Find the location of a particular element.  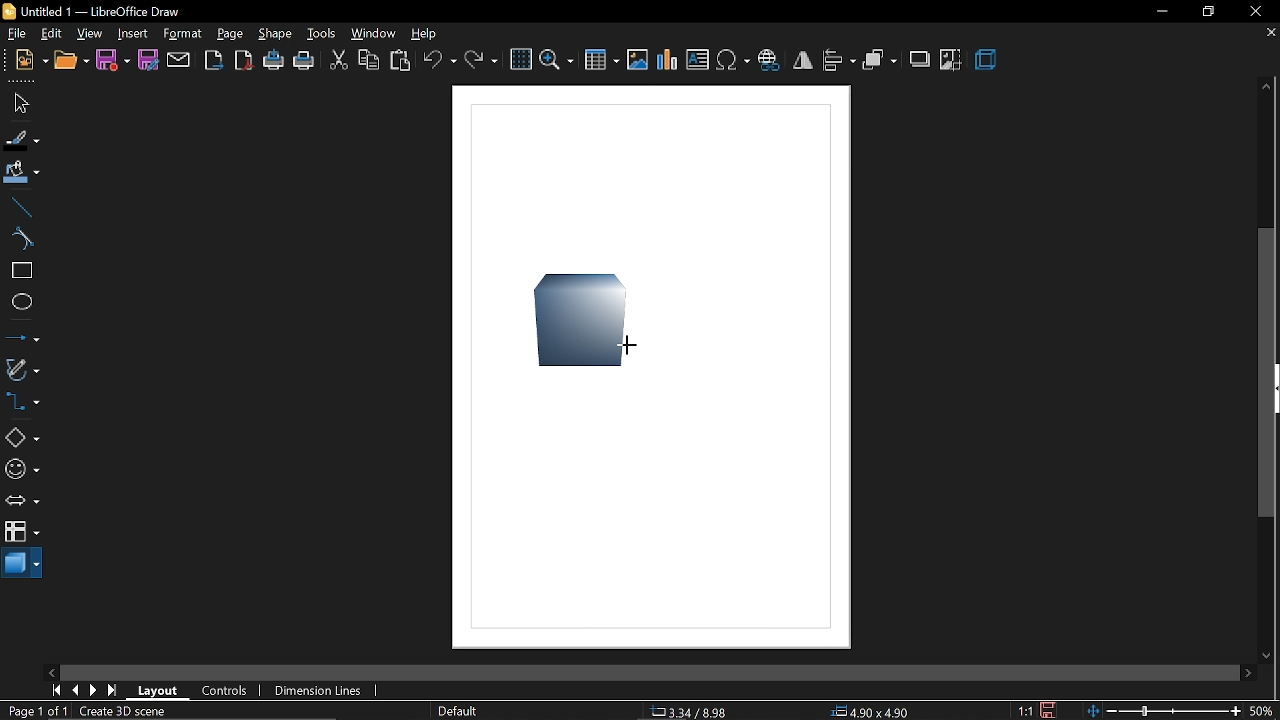

curve is located at coordinates (22, 240).